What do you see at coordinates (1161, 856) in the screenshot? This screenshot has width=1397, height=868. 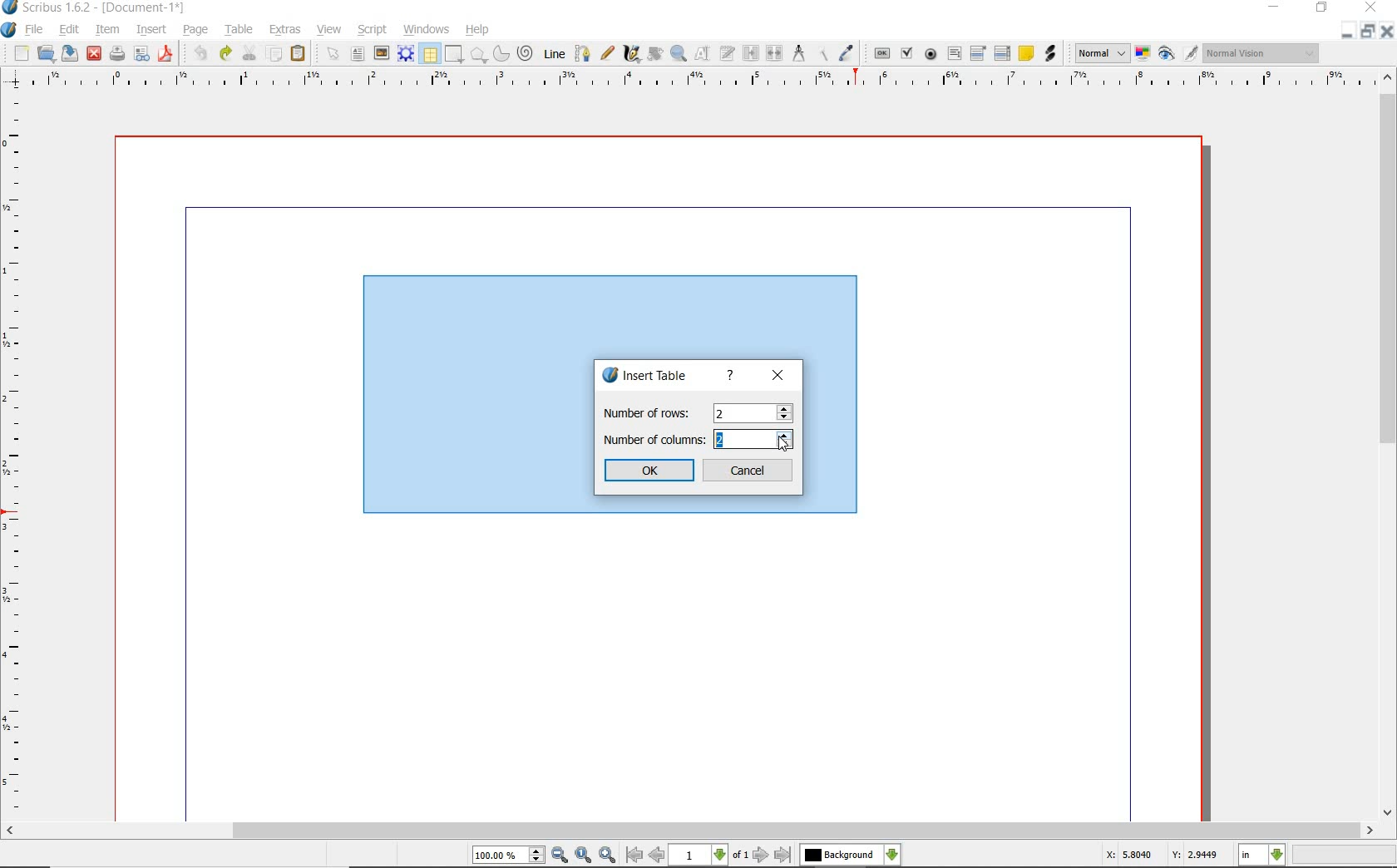 I see `X: 5.8040 Y: 2.9449` at bounding box center [1161, 856].